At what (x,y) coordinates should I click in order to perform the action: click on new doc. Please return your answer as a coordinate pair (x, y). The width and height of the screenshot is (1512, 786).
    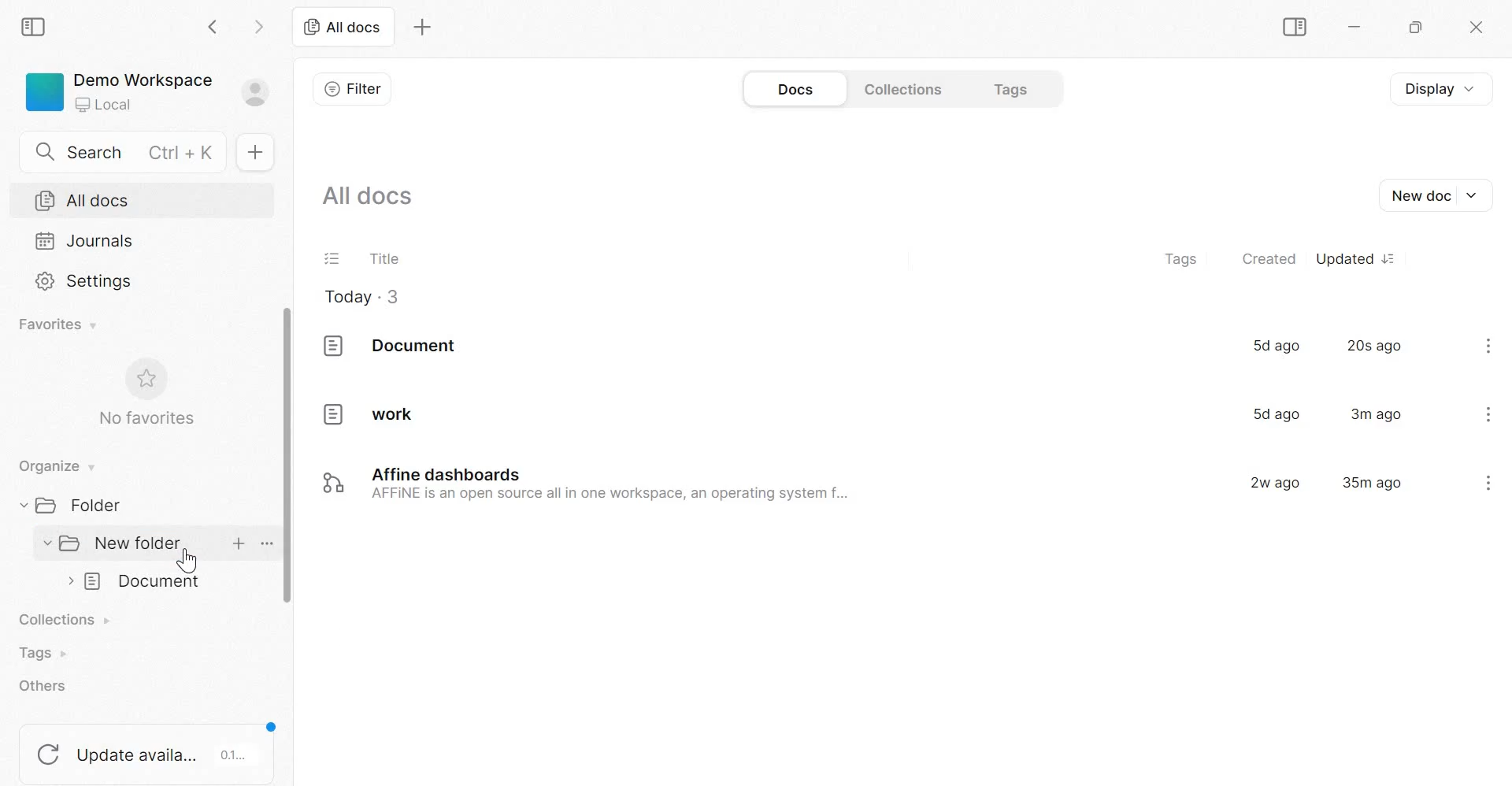
    Looking at the image, I should click on (238, 543).